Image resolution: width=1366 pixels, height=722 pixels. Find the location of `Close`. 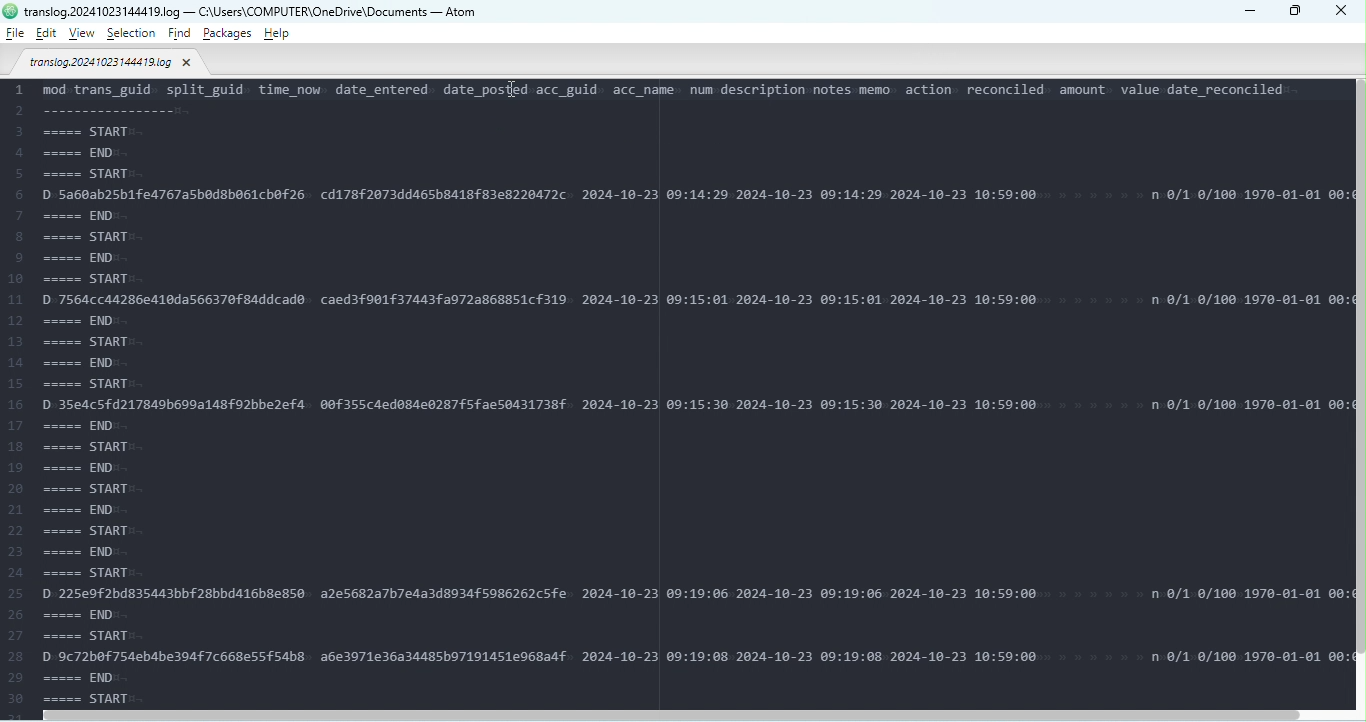

Close is located at coordinates (1344, 13).